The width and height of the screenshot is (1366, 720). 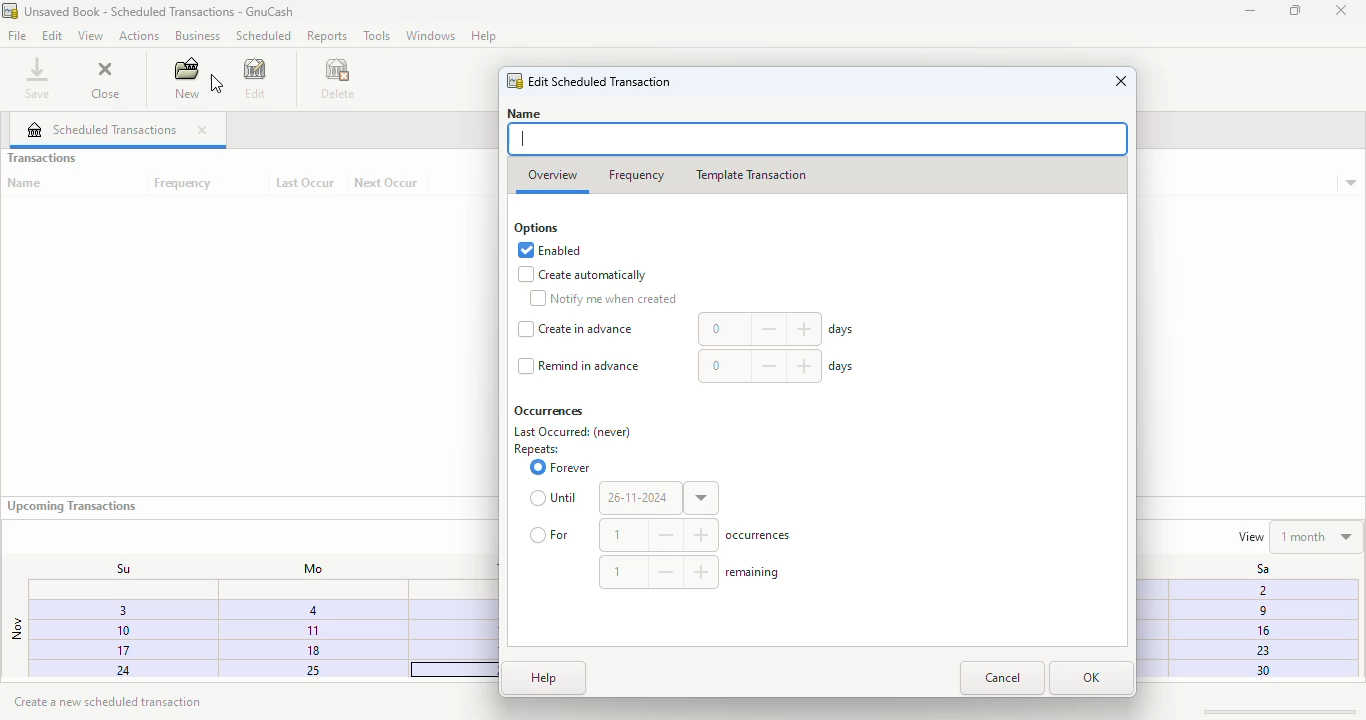 What do you see at coordinates (1298, 535) in the screenshot?
I see `view 1 month` at bounding box center [1298, 535].